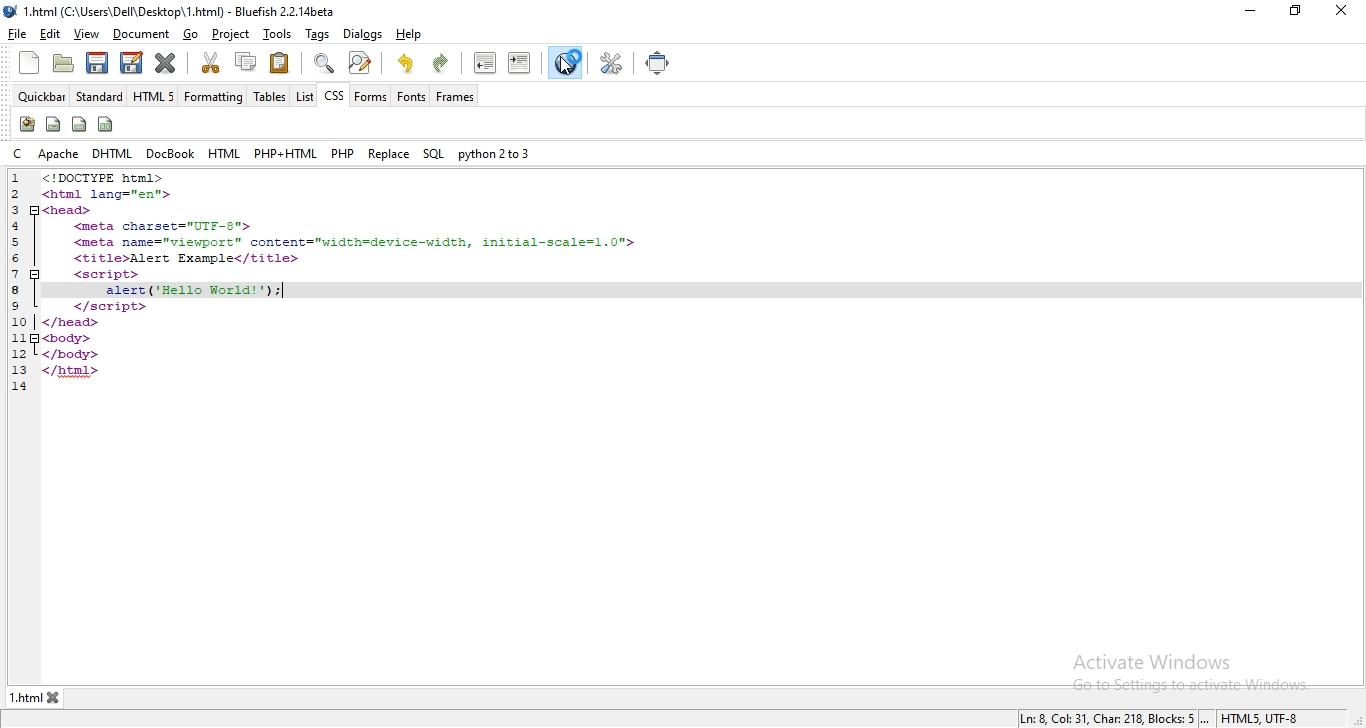  I want to click on docbook, so click(169, 153).